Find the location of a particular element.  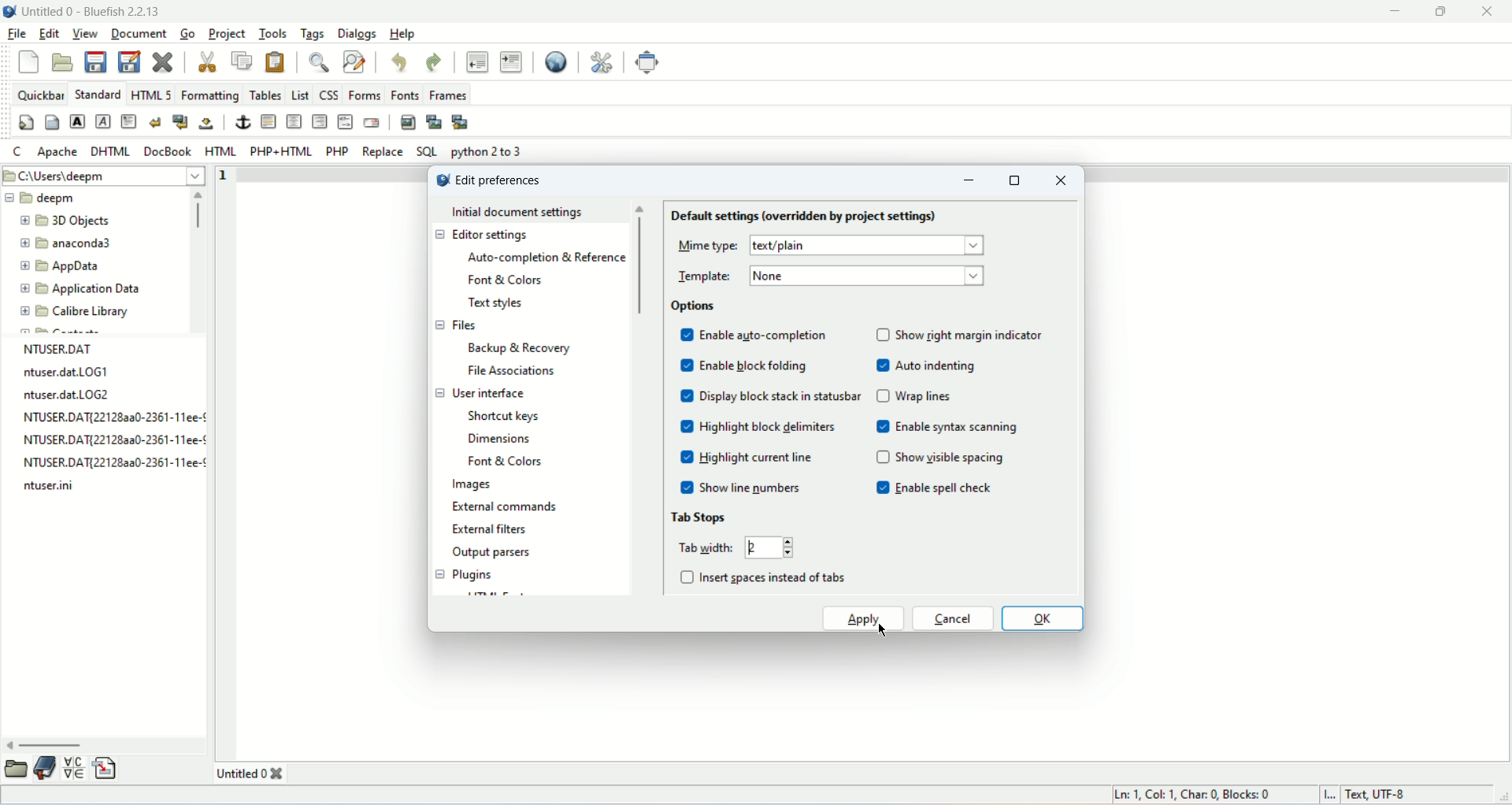

break is located at coordinates (152, 122).